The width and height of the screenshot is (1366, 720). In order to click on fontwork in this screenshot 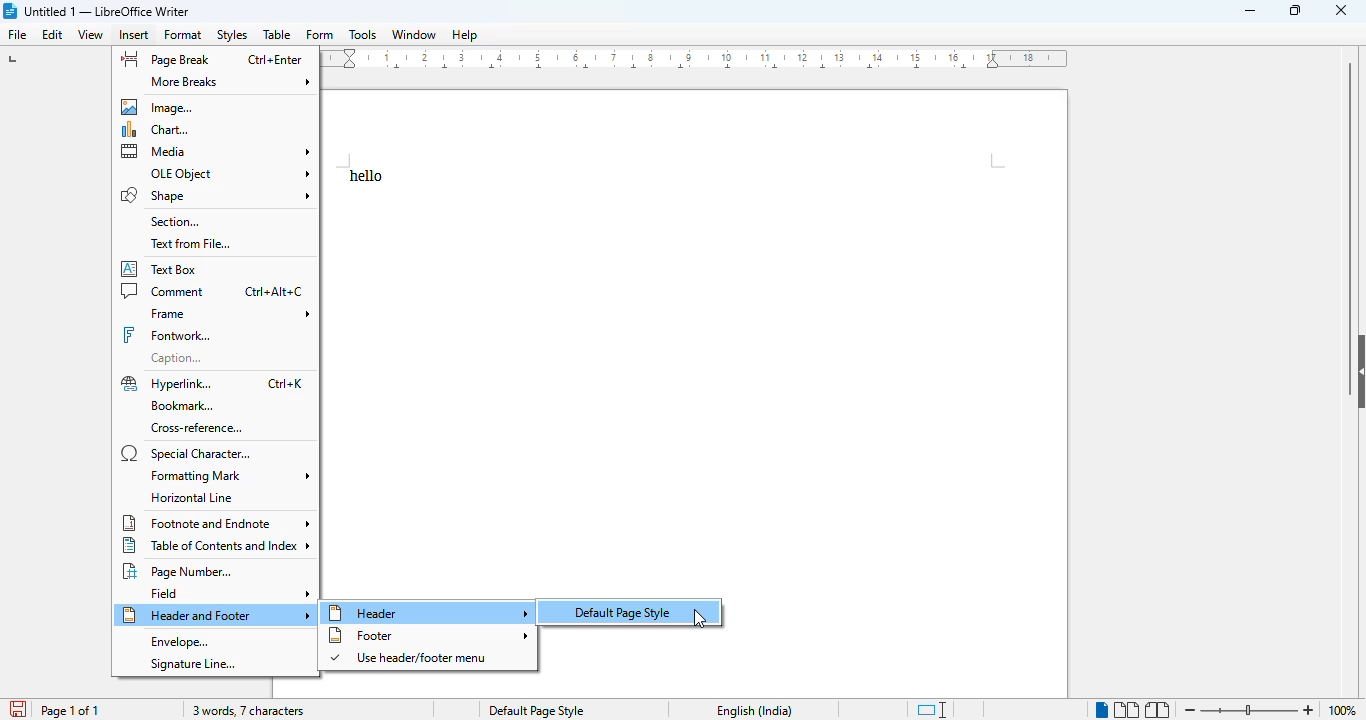, I will do `click(166, 335)`.